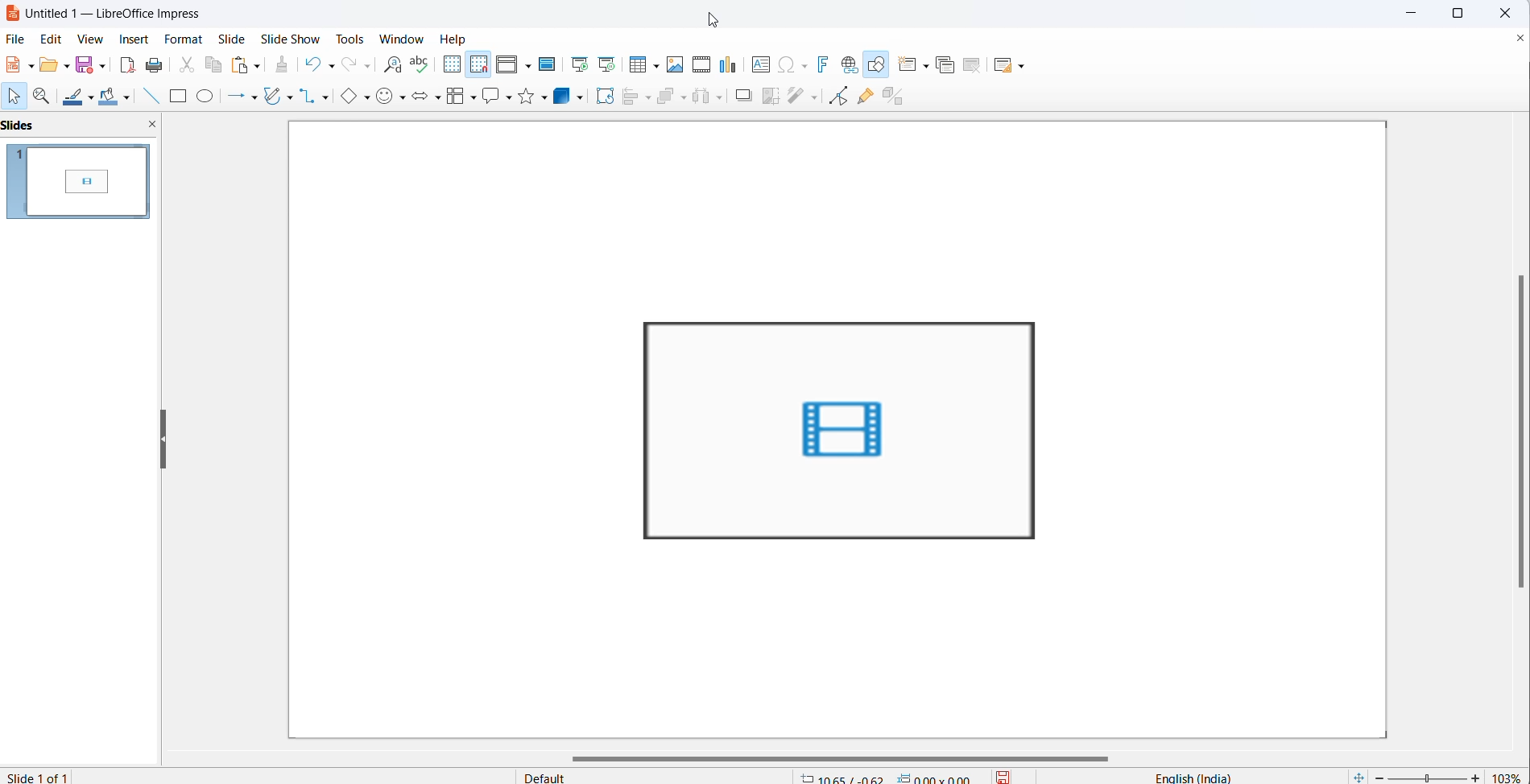 Image resolution: width=1530 pixels, height=784 pixels. I want to click on selection markup, so click(841, 544).